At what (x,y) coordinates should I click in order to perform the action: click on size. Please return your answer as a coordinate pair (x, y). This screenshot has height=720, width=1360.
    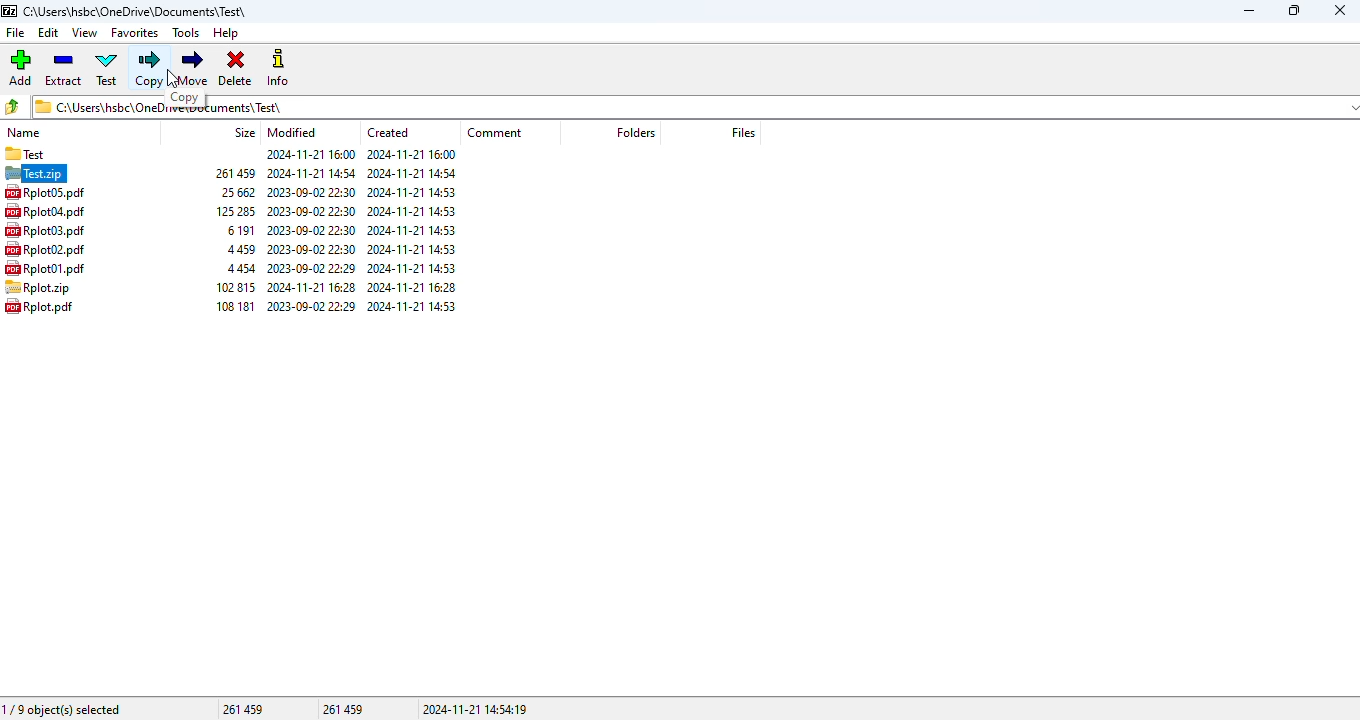
    Looking at the image, I should click on (234, 305).